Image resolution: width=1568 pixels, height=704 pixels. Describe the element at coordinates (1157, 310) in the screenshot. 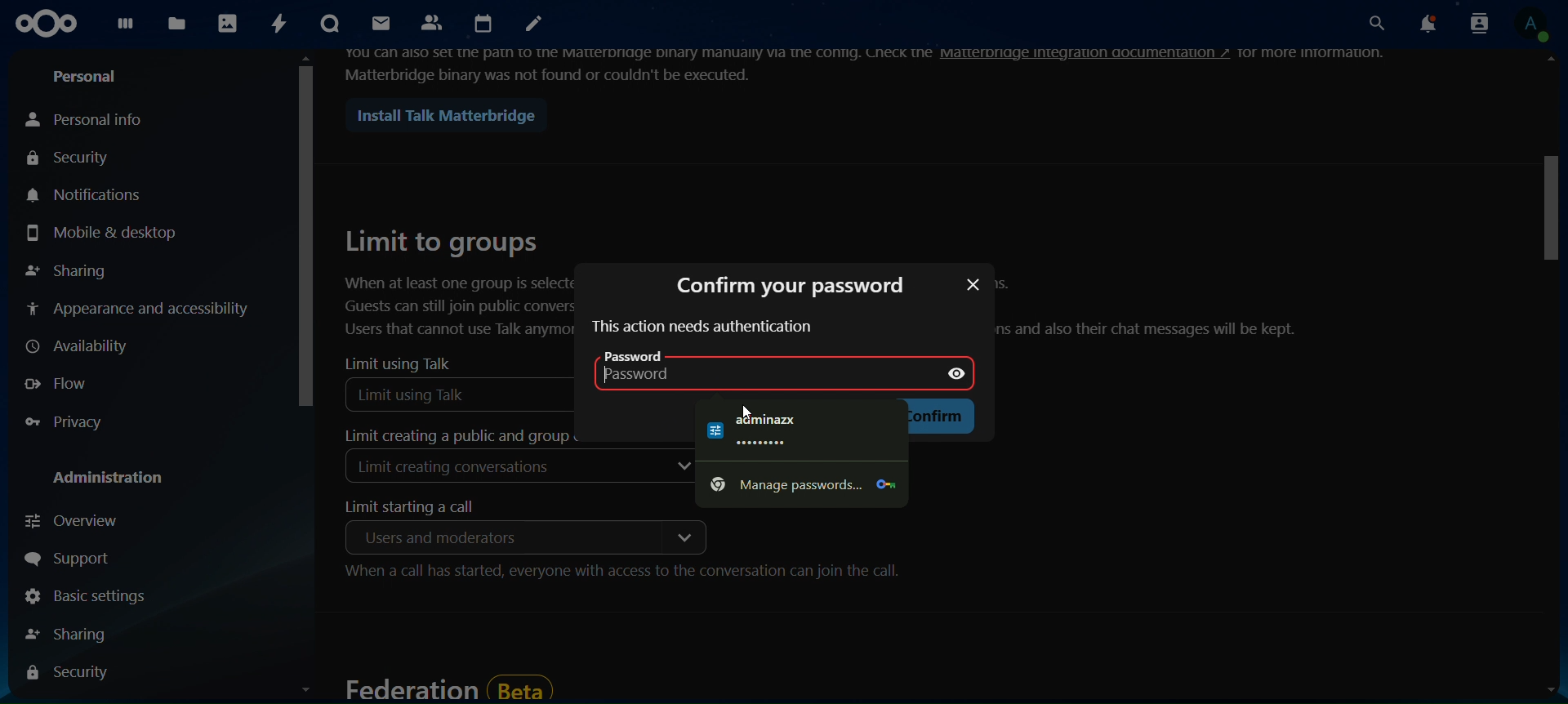

I see `text` at that location.